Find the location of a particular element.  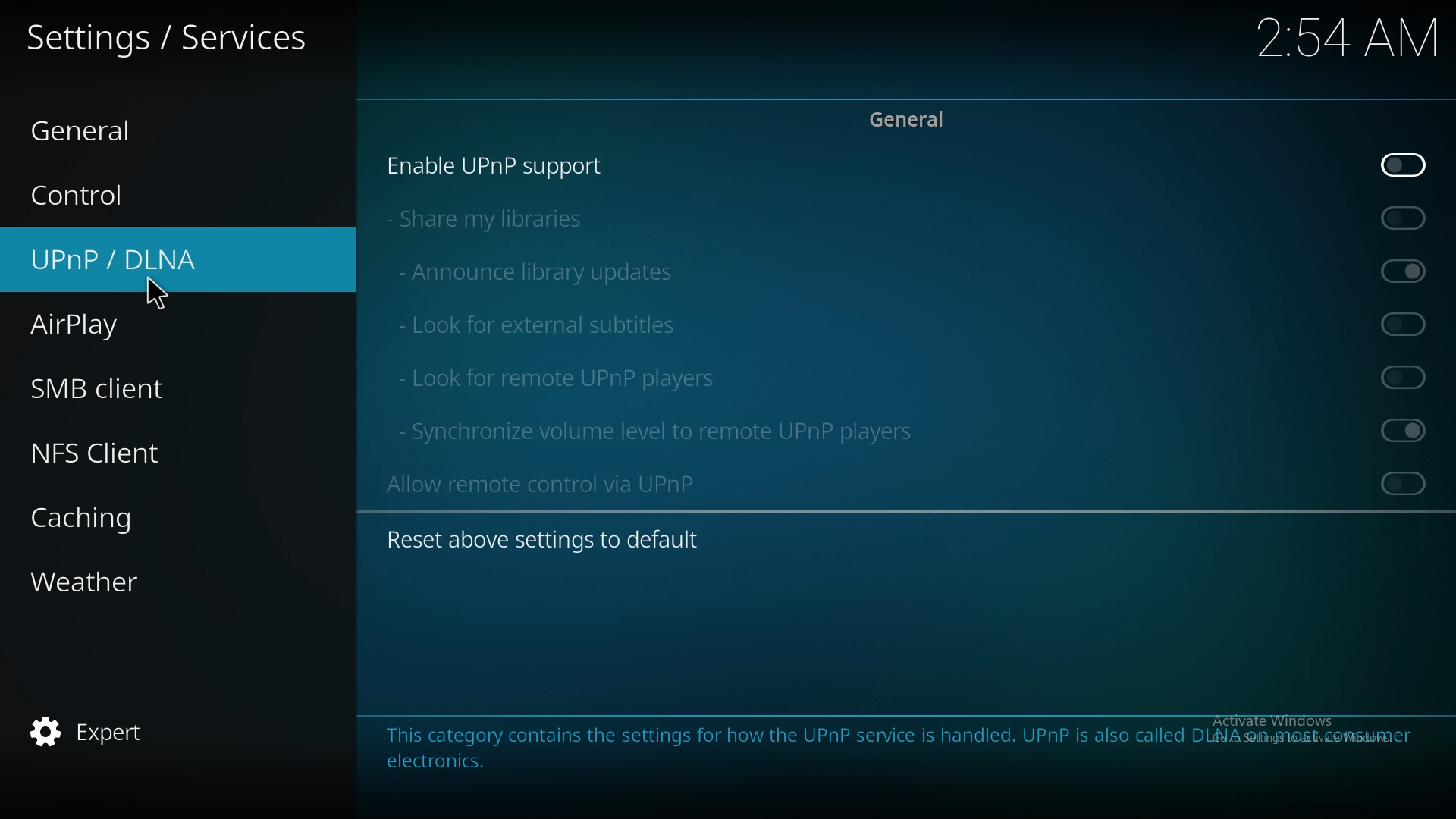

look for remote upnp players is located at coordinates (560, 376).